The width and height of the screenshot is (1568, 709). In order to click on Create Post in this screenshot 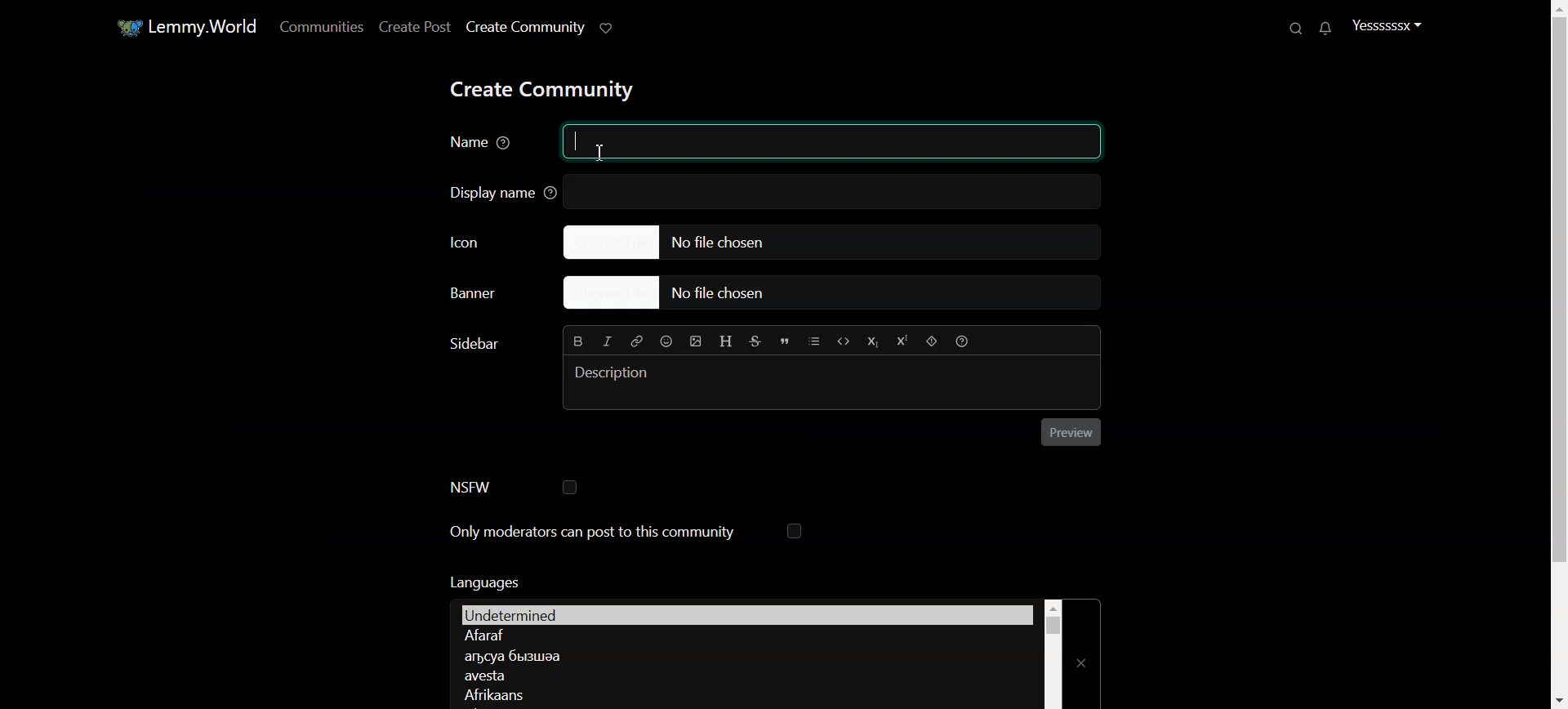, I will do `click(413, 26)`.